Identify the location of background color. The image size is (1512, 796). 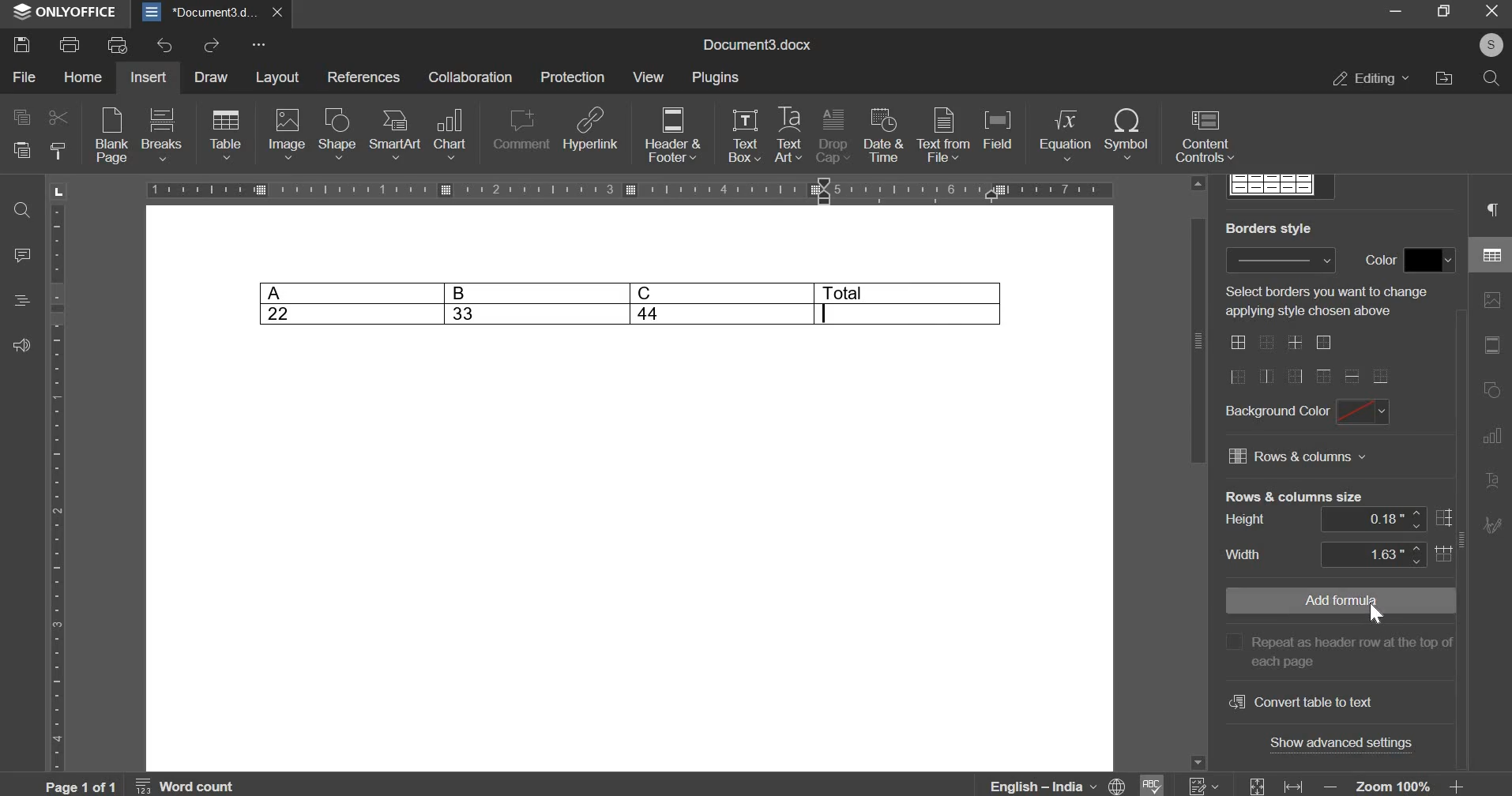
(1363, 413).